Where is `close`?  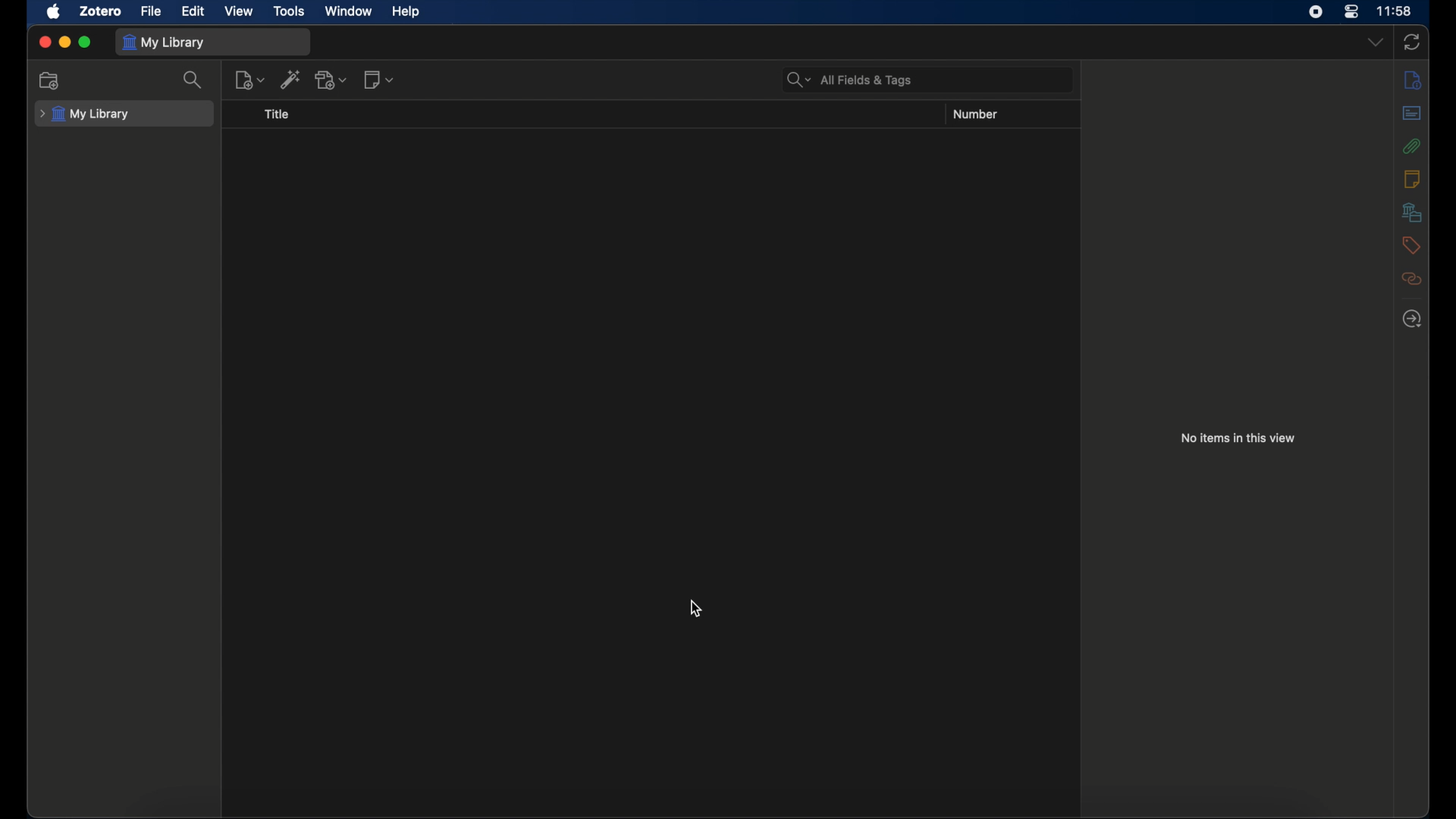 close is located at coordinates (44, 42).